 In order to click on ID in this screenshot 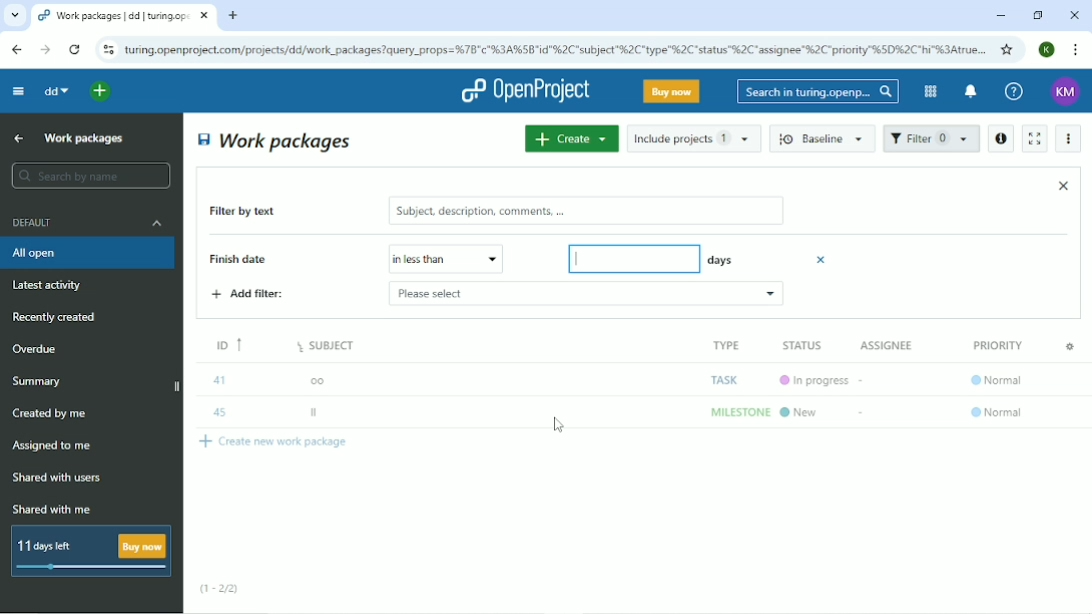, I will do `click(223, 349)`.